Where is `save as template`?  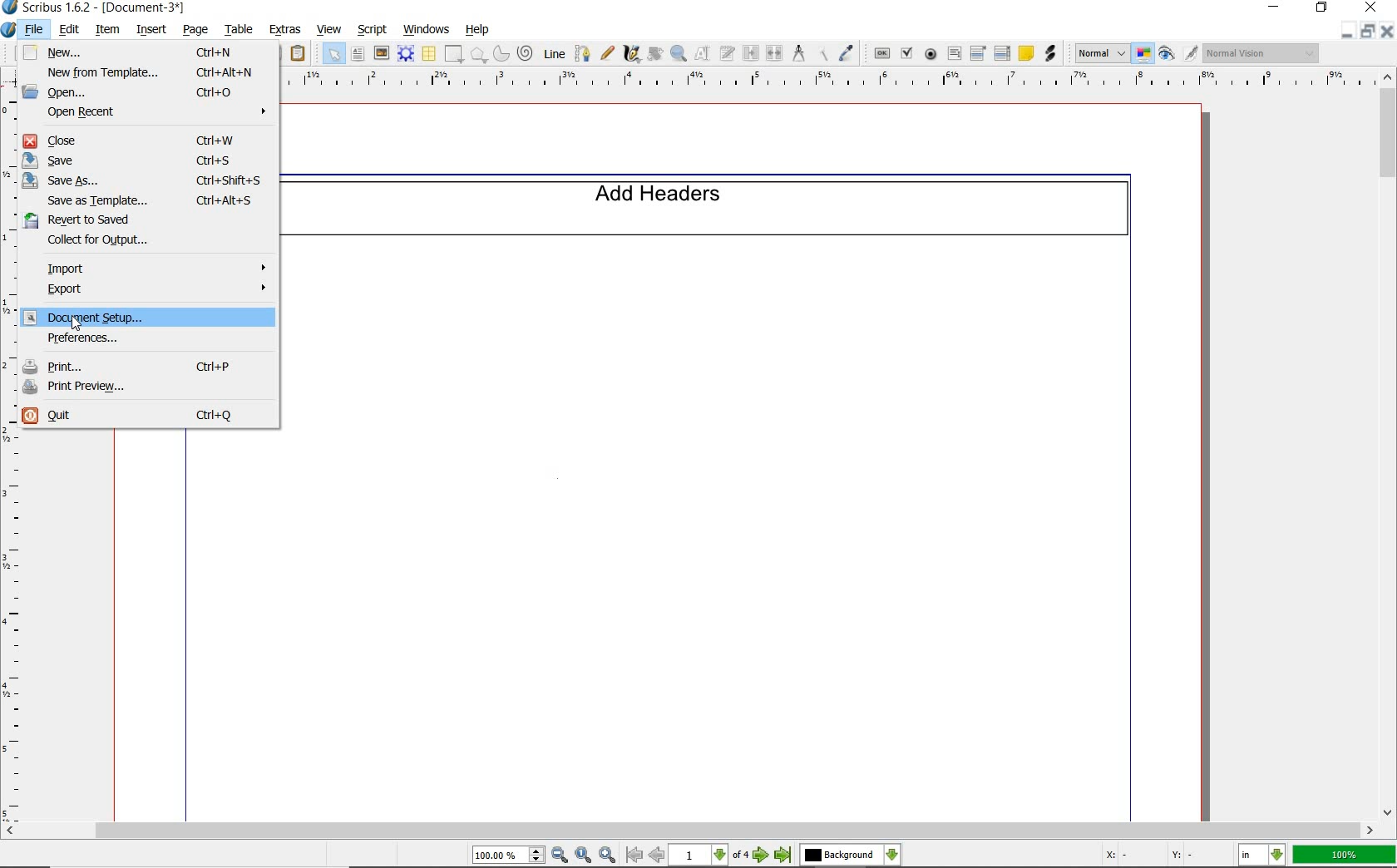 save as template is located at coordinates (155, 201).